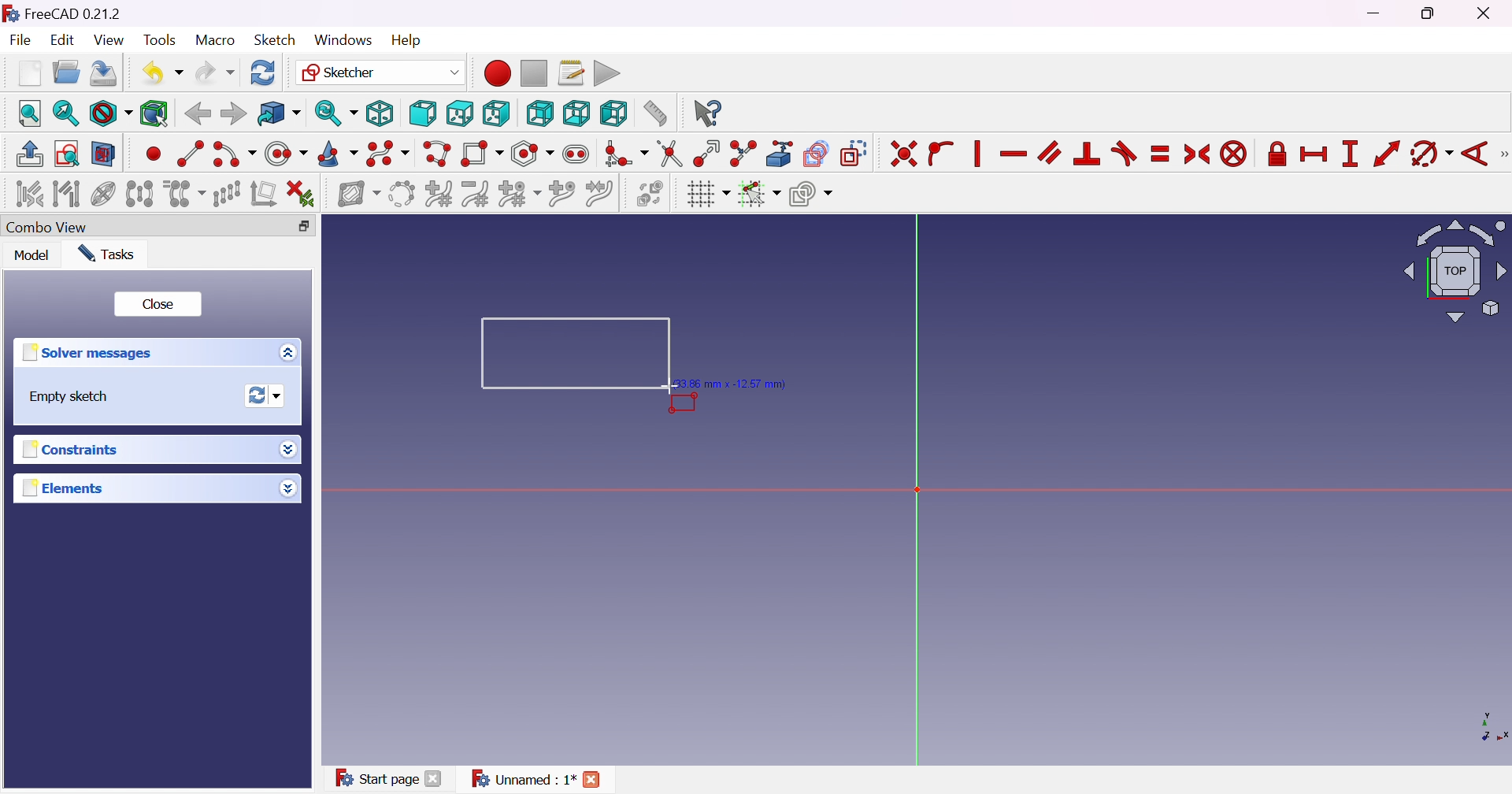 This screenshot has width=1512, height=794. What do you see at coordinates (64, 41) in the screenshot?
I see `Edit` at bounding box center [64, 41].